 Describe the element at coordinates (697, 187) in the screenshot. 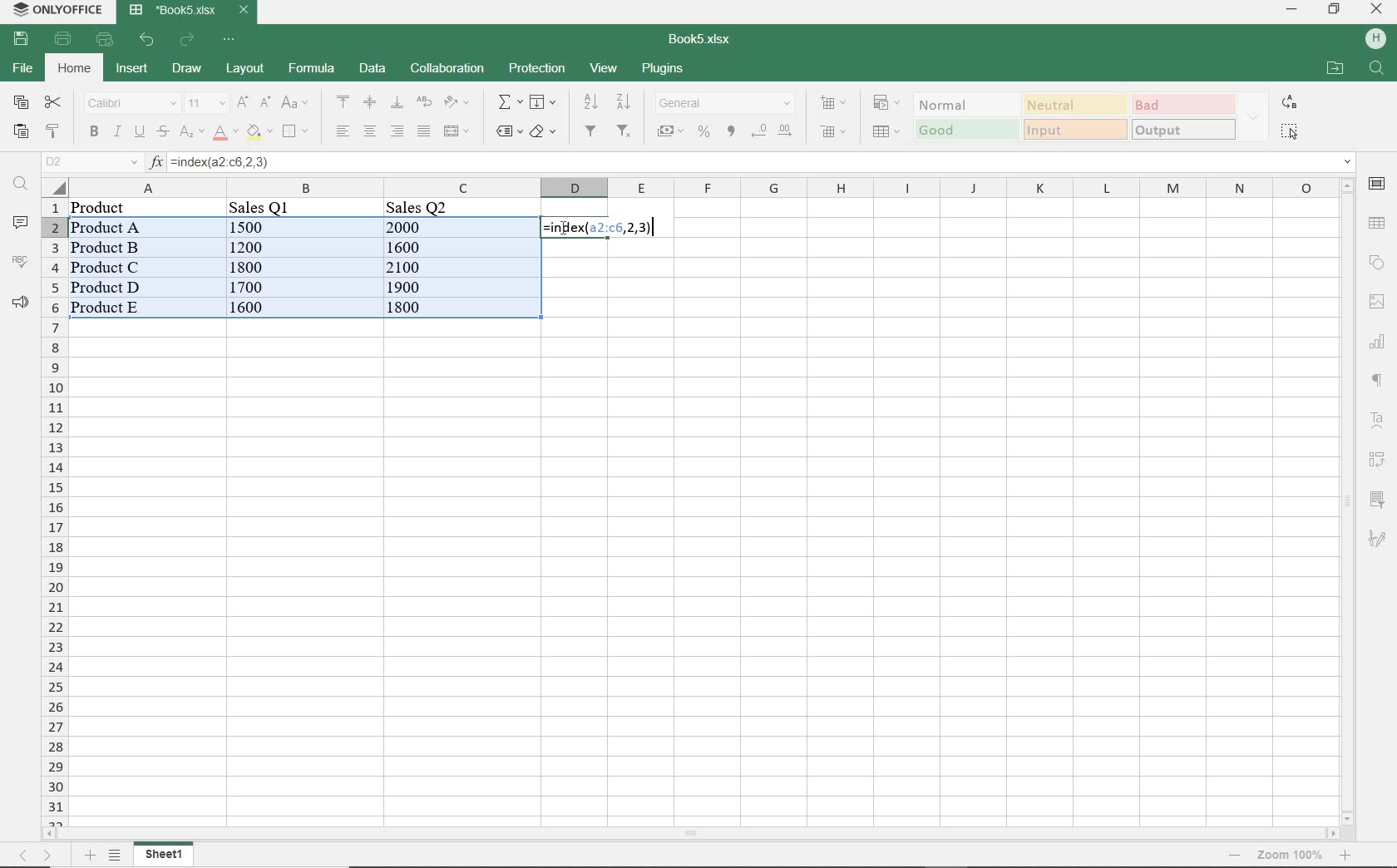

I see `columns` at that location.